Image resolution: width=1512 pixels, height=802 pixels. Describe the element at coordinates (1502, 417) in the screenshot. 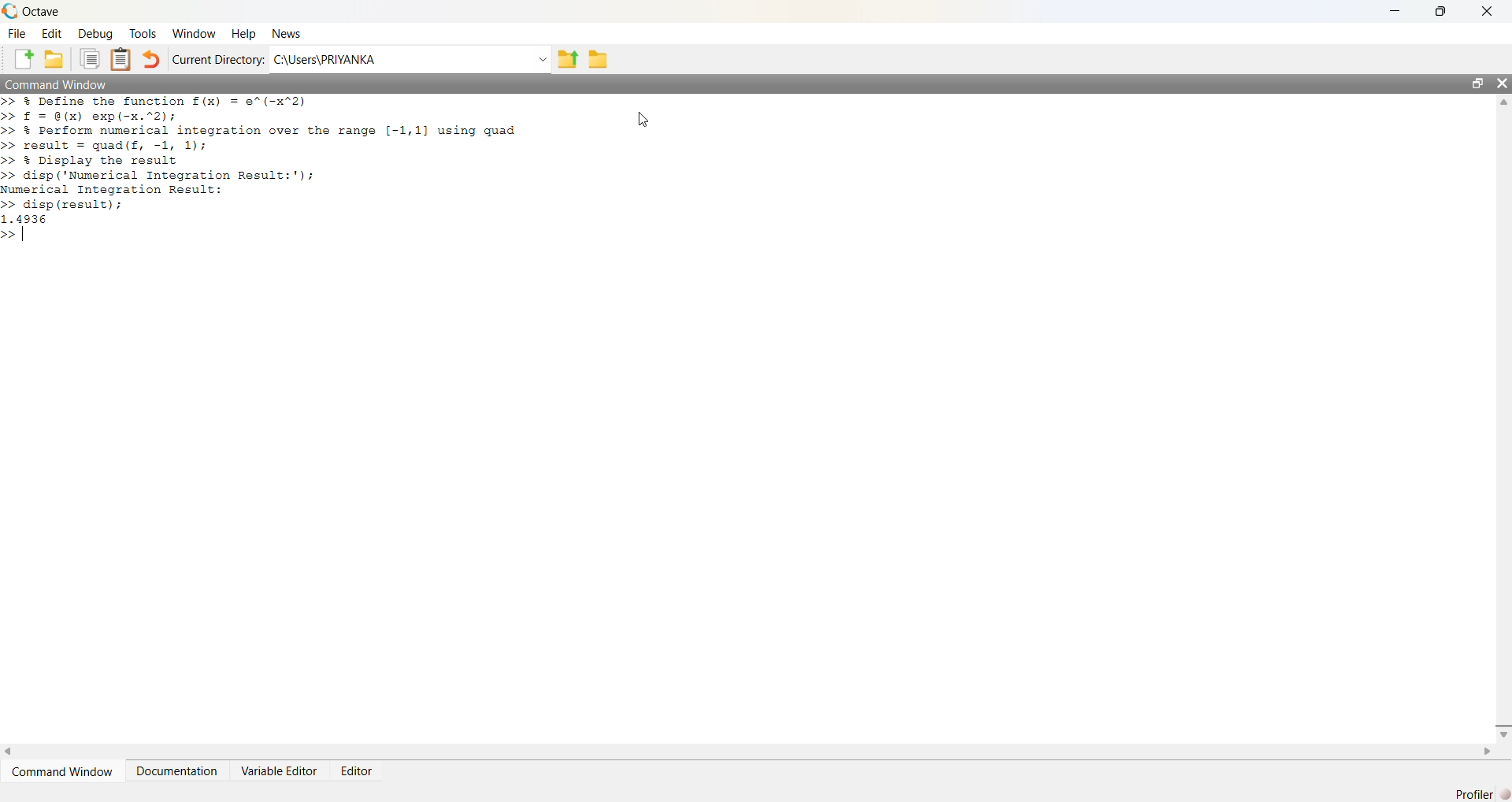

I see `vertical scroll bar` at that location.